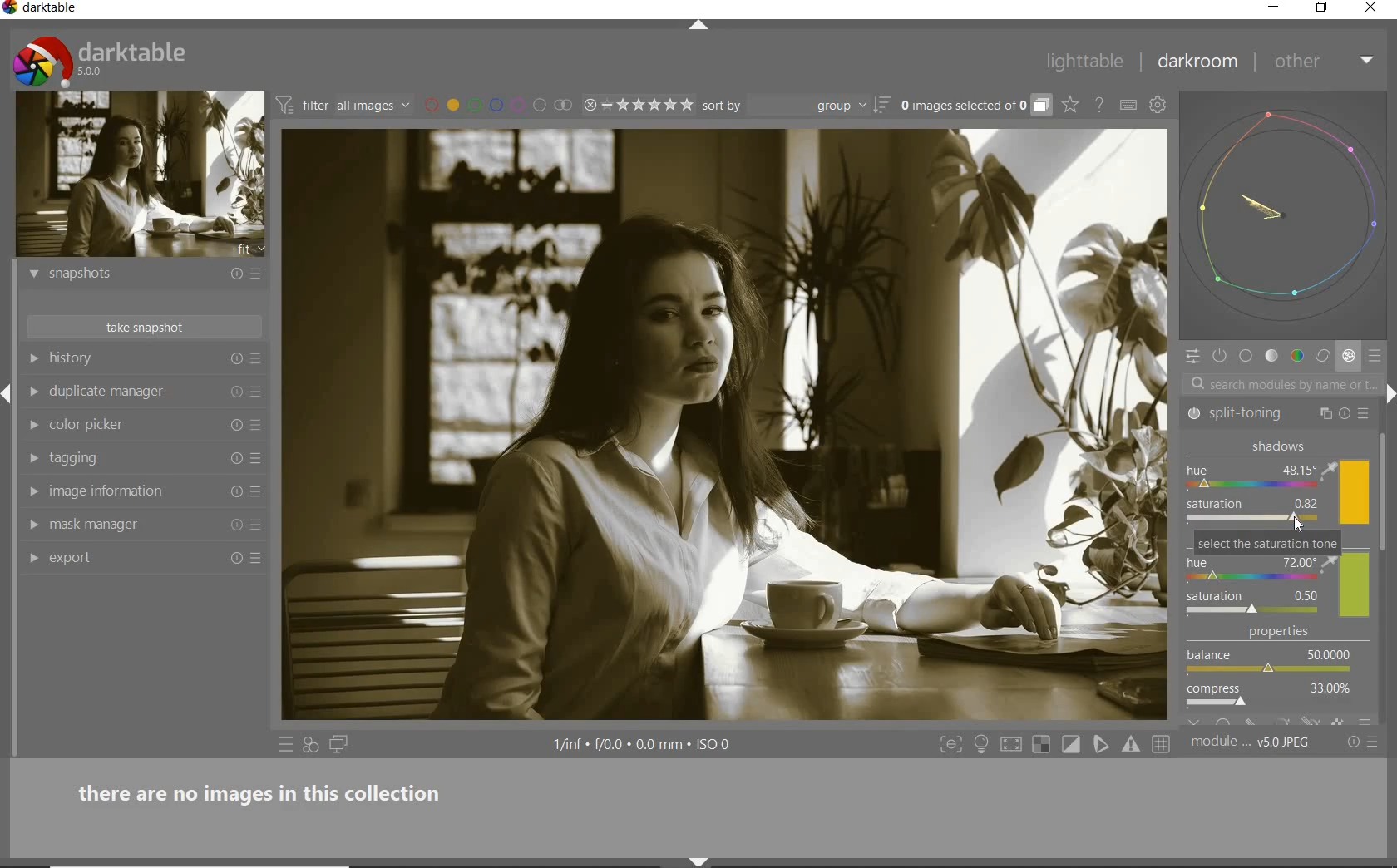  Describe the element at coordinates (1103, 747) in the screenshot. I see `toggle softproofing` at that location.